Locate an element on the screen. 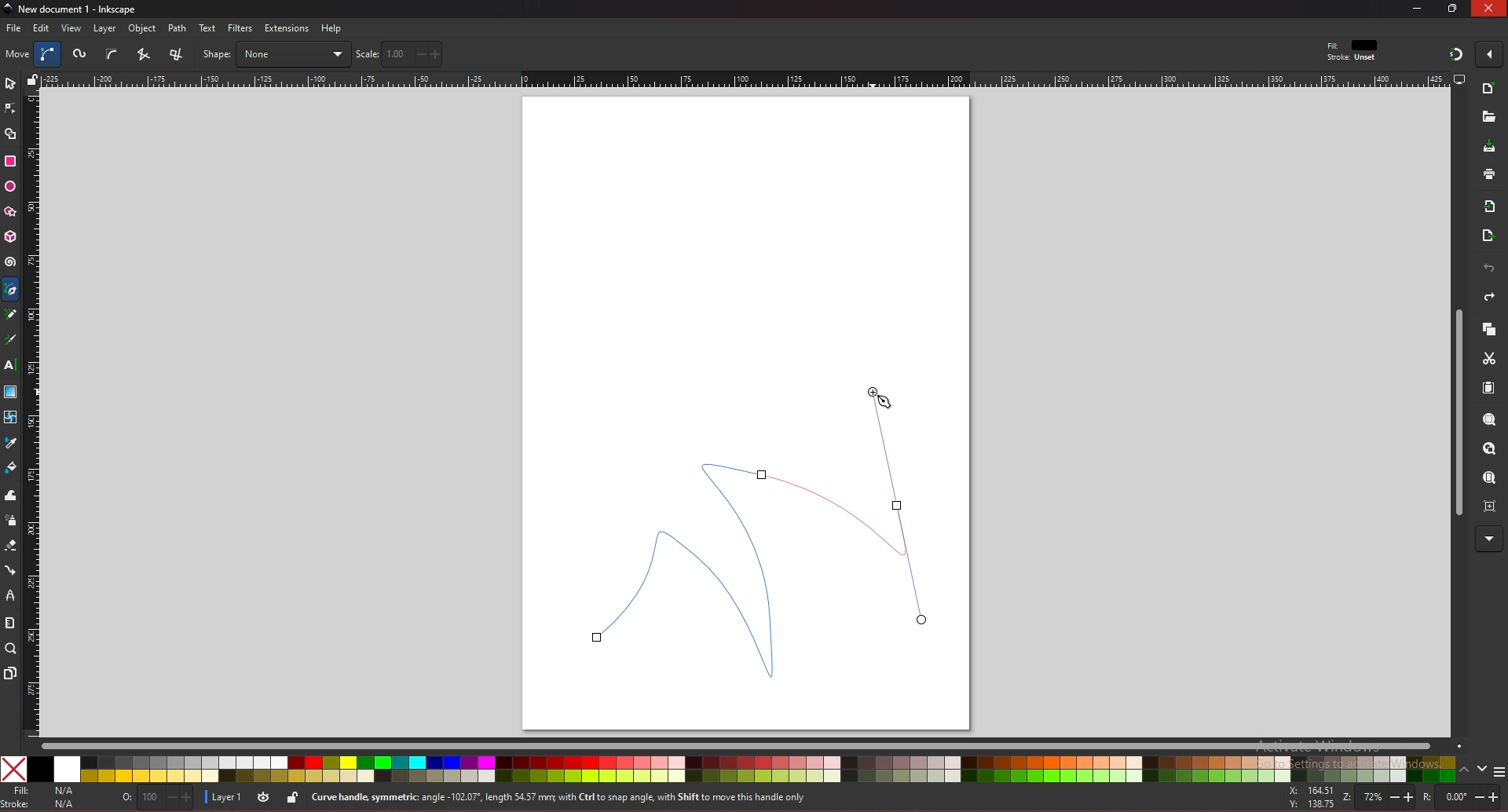 This screenshot has width=1508, height=812. horizontal rule is located at coordinates (745, 79).